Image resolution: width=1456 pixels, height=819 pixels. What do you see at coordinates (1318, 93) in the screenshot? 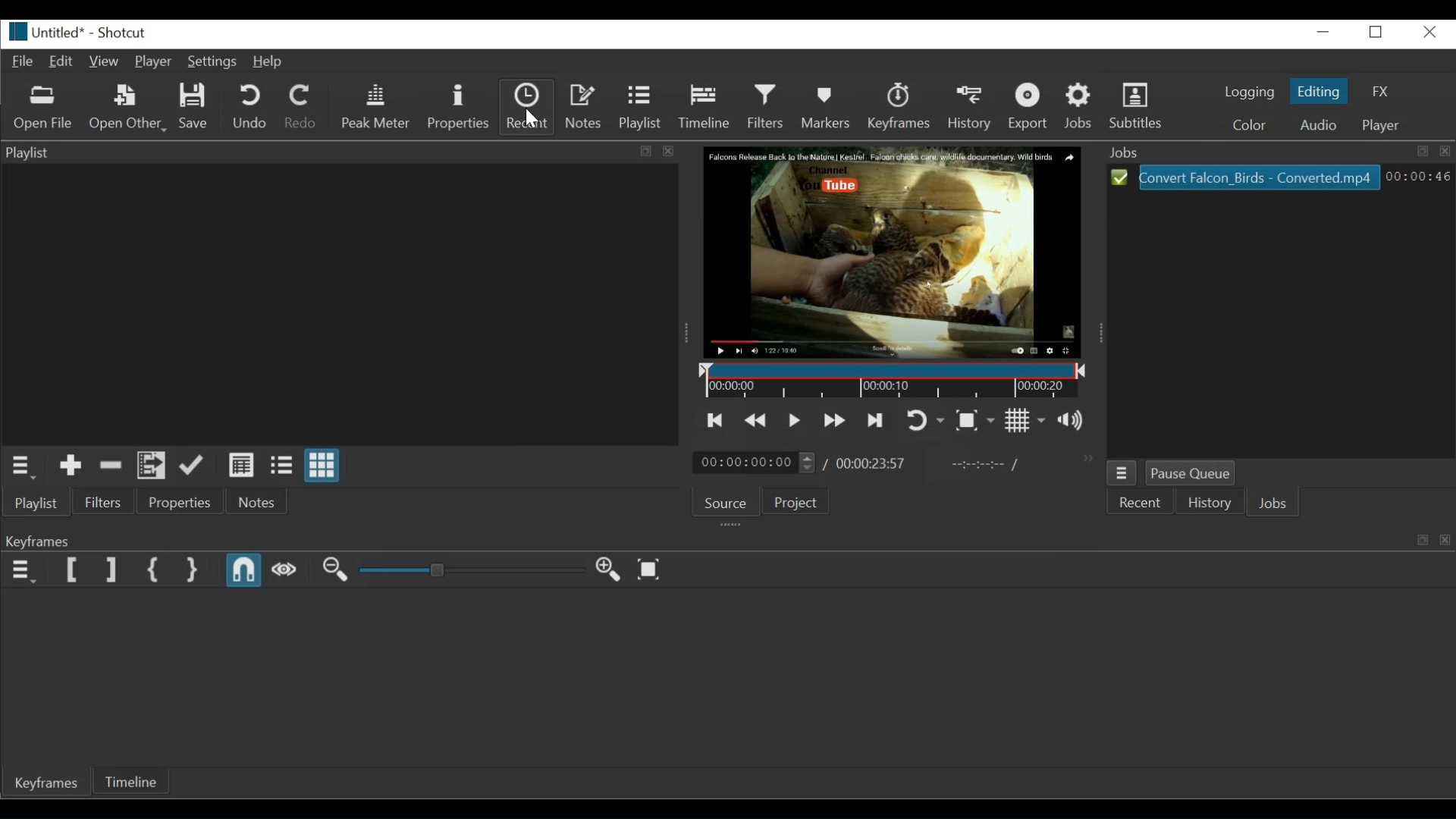
I see `Editing` at bounding box center [1318, 93].